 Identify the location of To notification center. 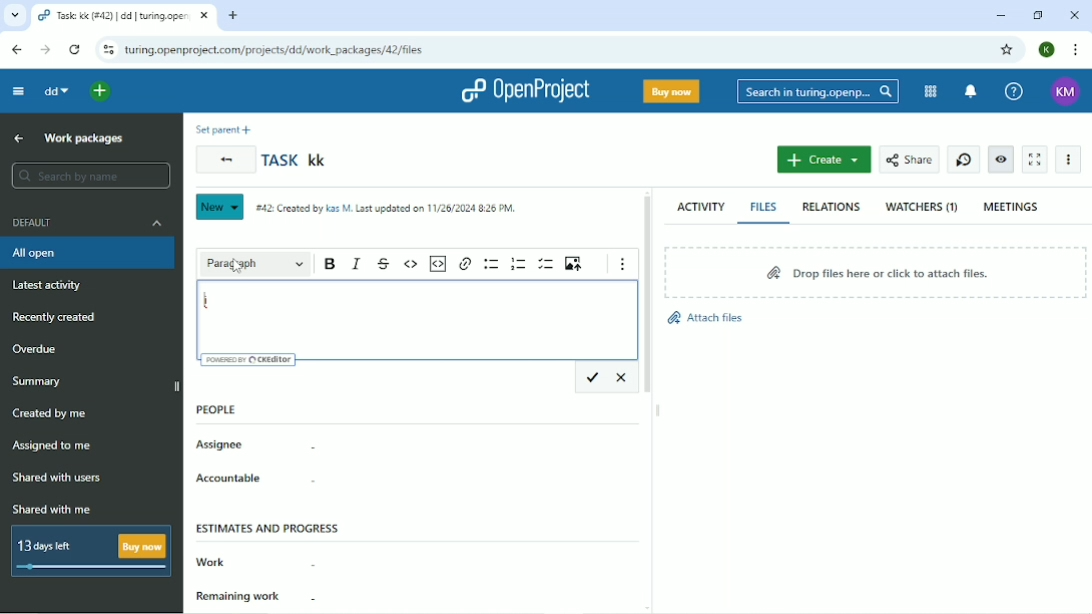
(971, 91).